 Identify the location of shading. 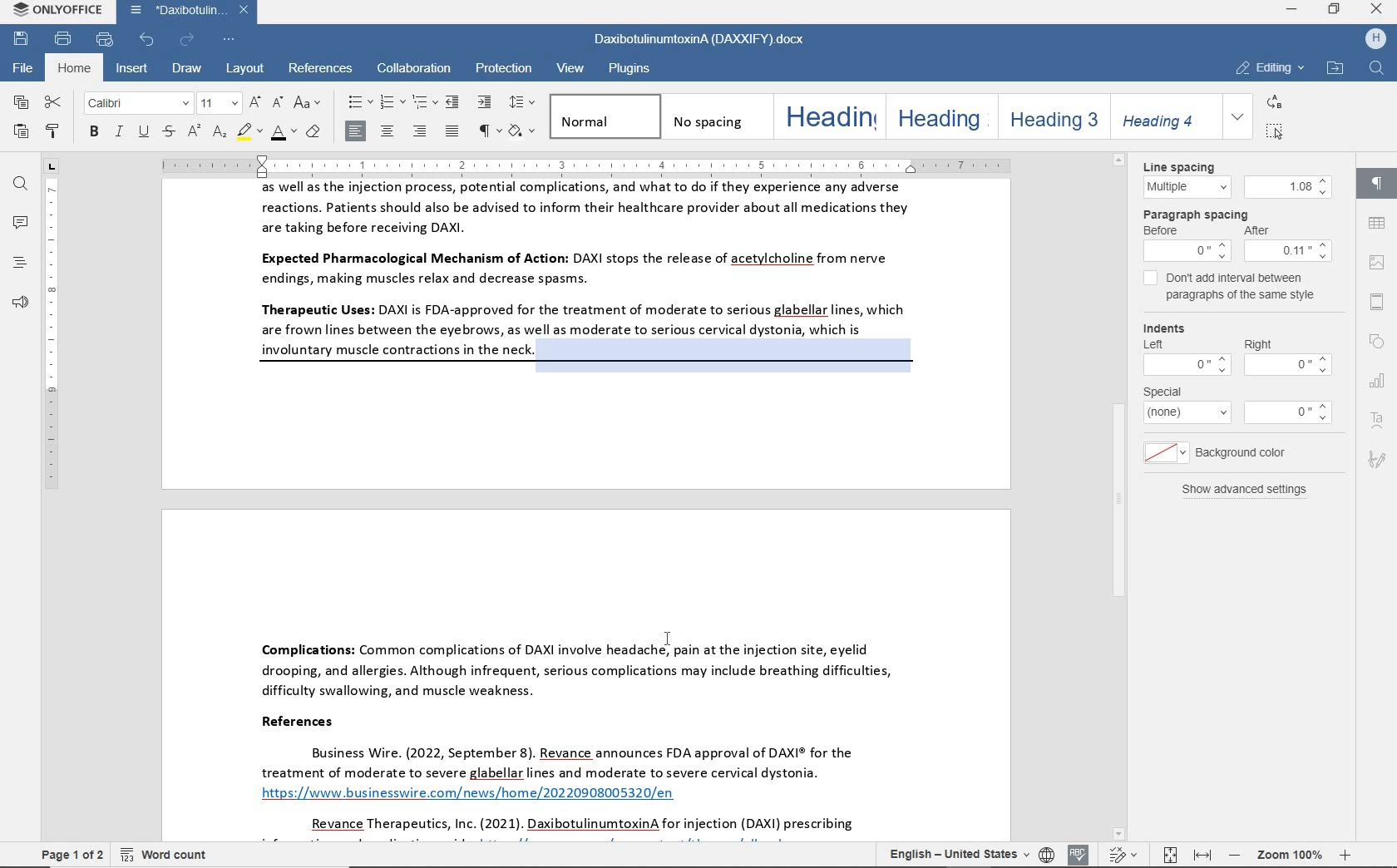
(524, 132).